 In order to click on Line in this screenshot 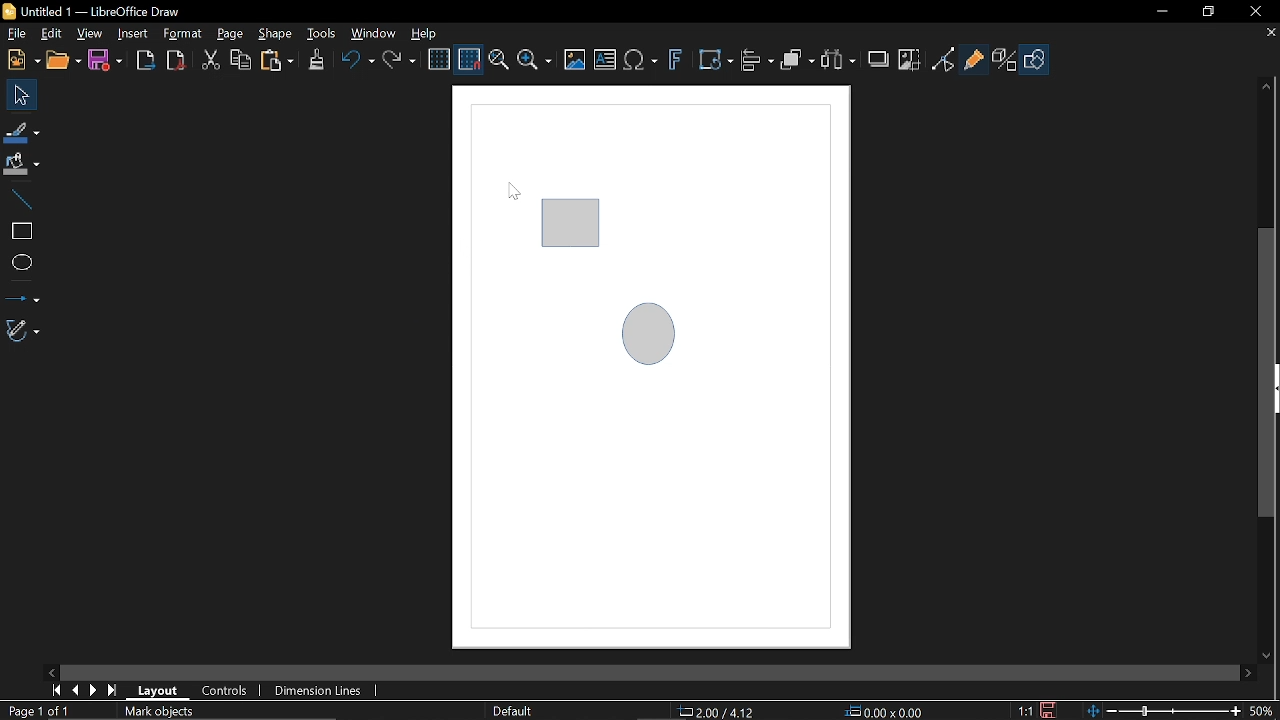, I will do `click(21, 197)`.